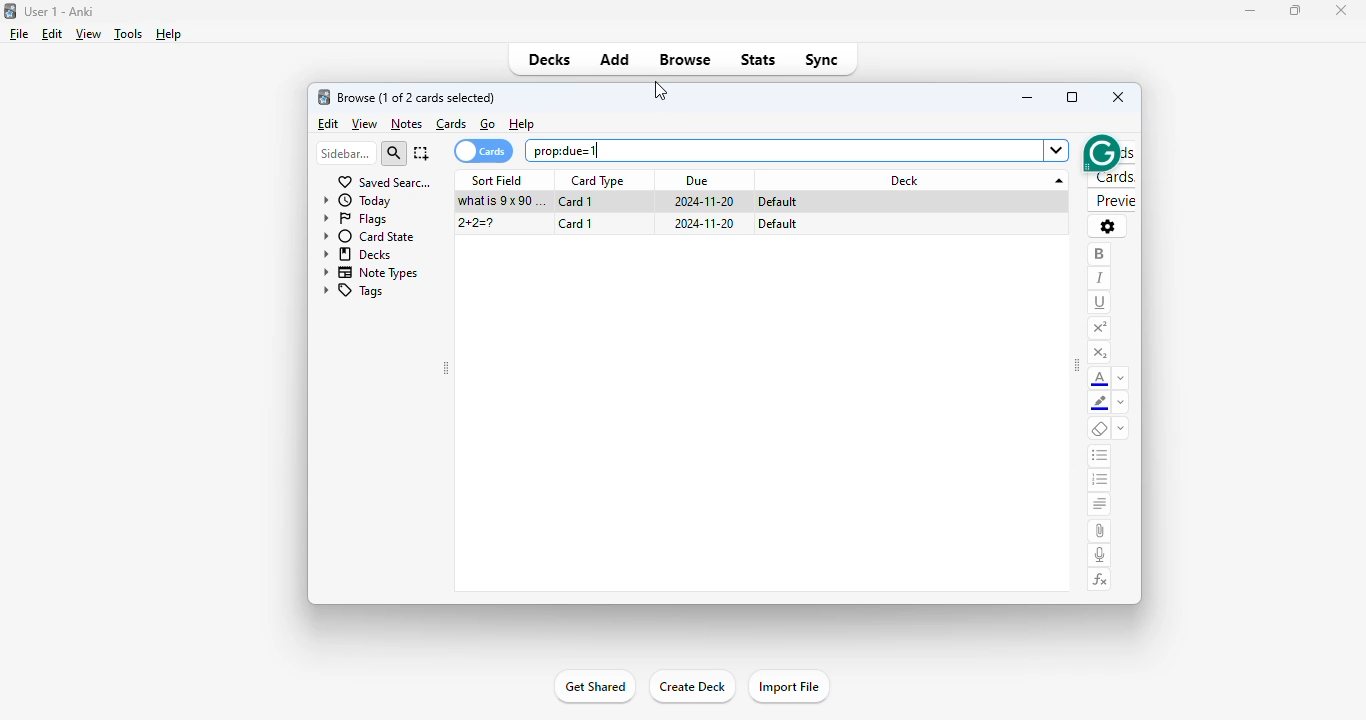 The height and width of the screenshot is (720, 1366). Describe the element at coordinates (706, 202) in the screenshot. I see `2024-11-20` at that location.